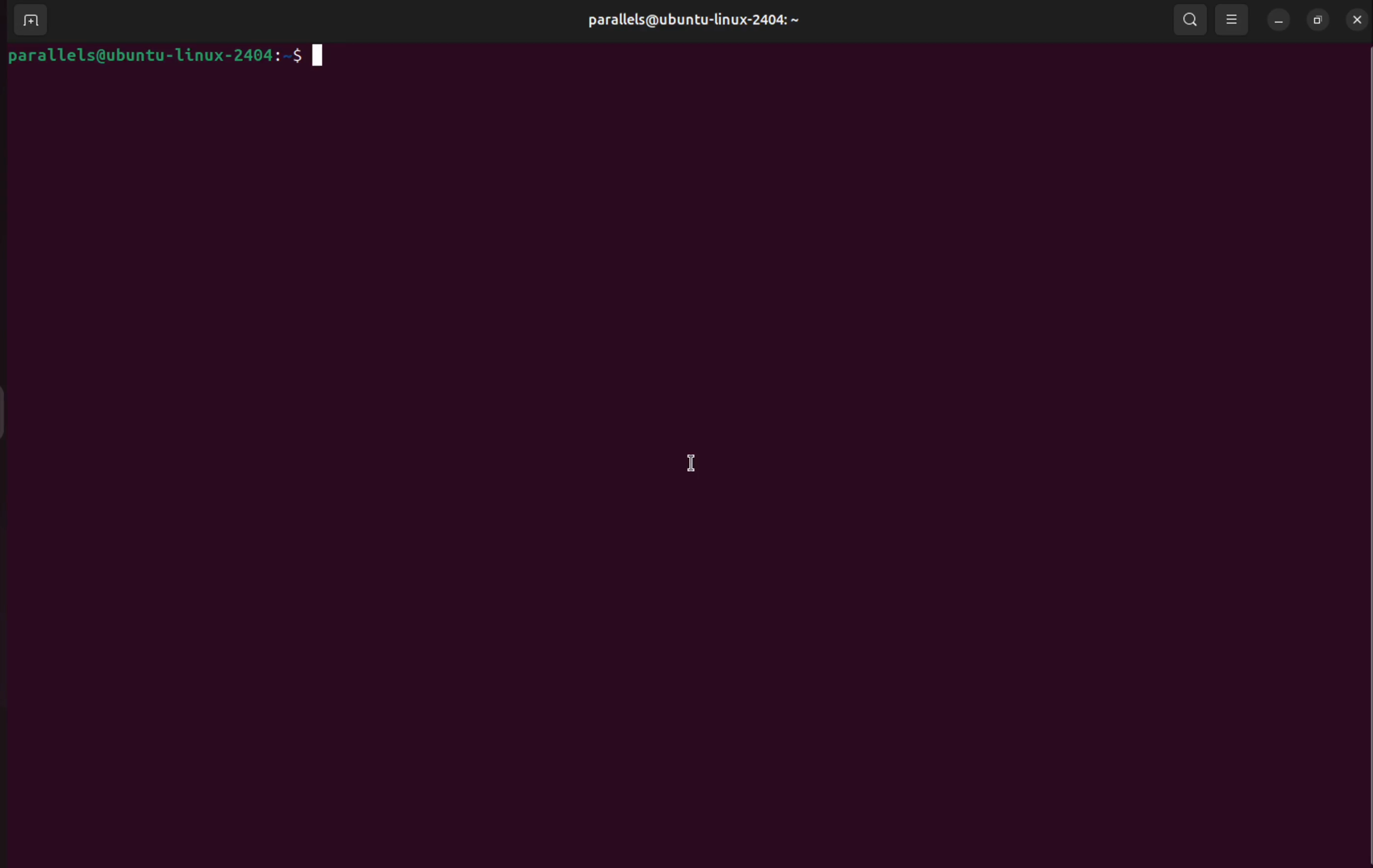 This screenshot has width=1373, height=868. I want to click on minimize, so click(1279, 19).